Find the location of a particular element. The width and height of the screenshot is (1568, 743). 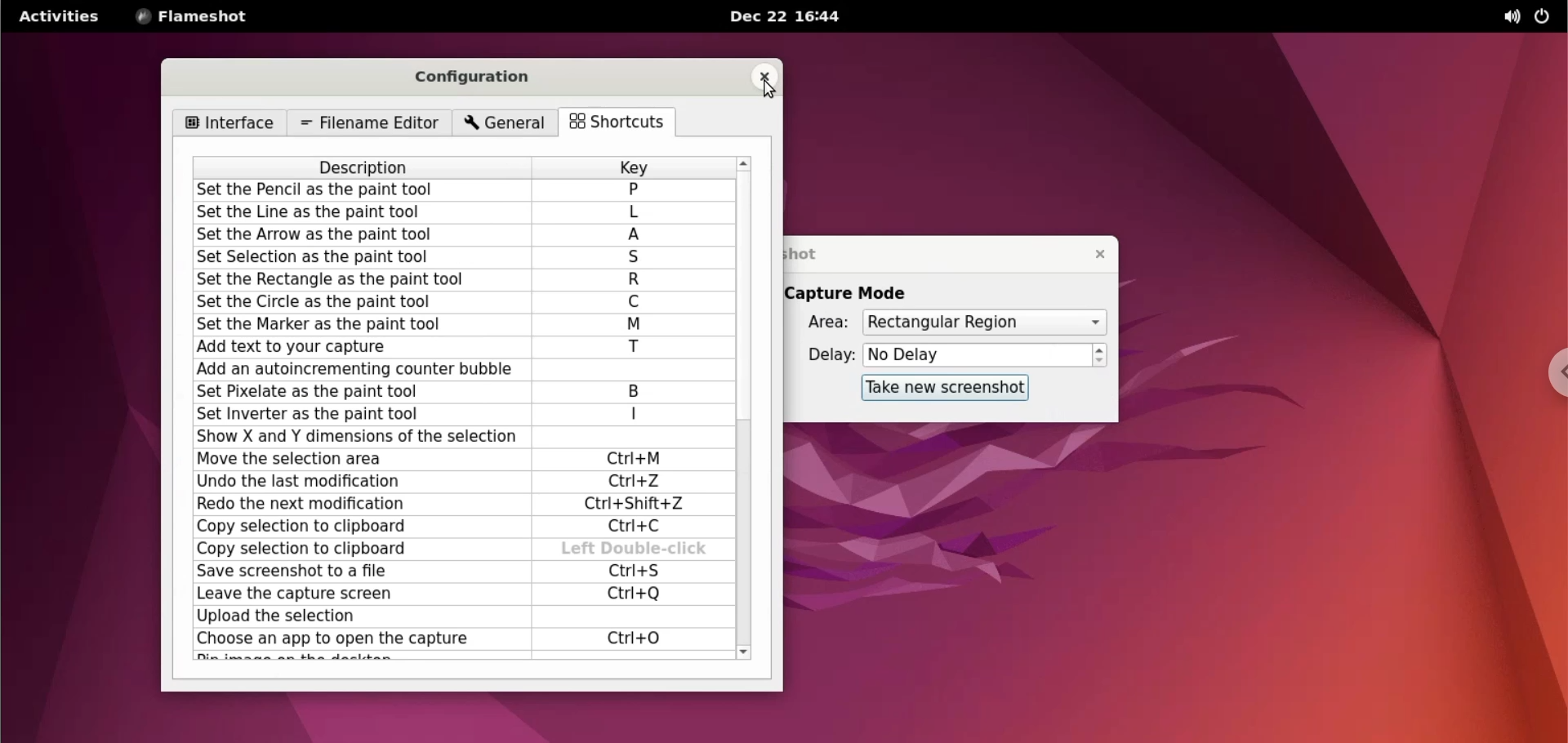

leave the capture screen is located at coordinates (351, 594).